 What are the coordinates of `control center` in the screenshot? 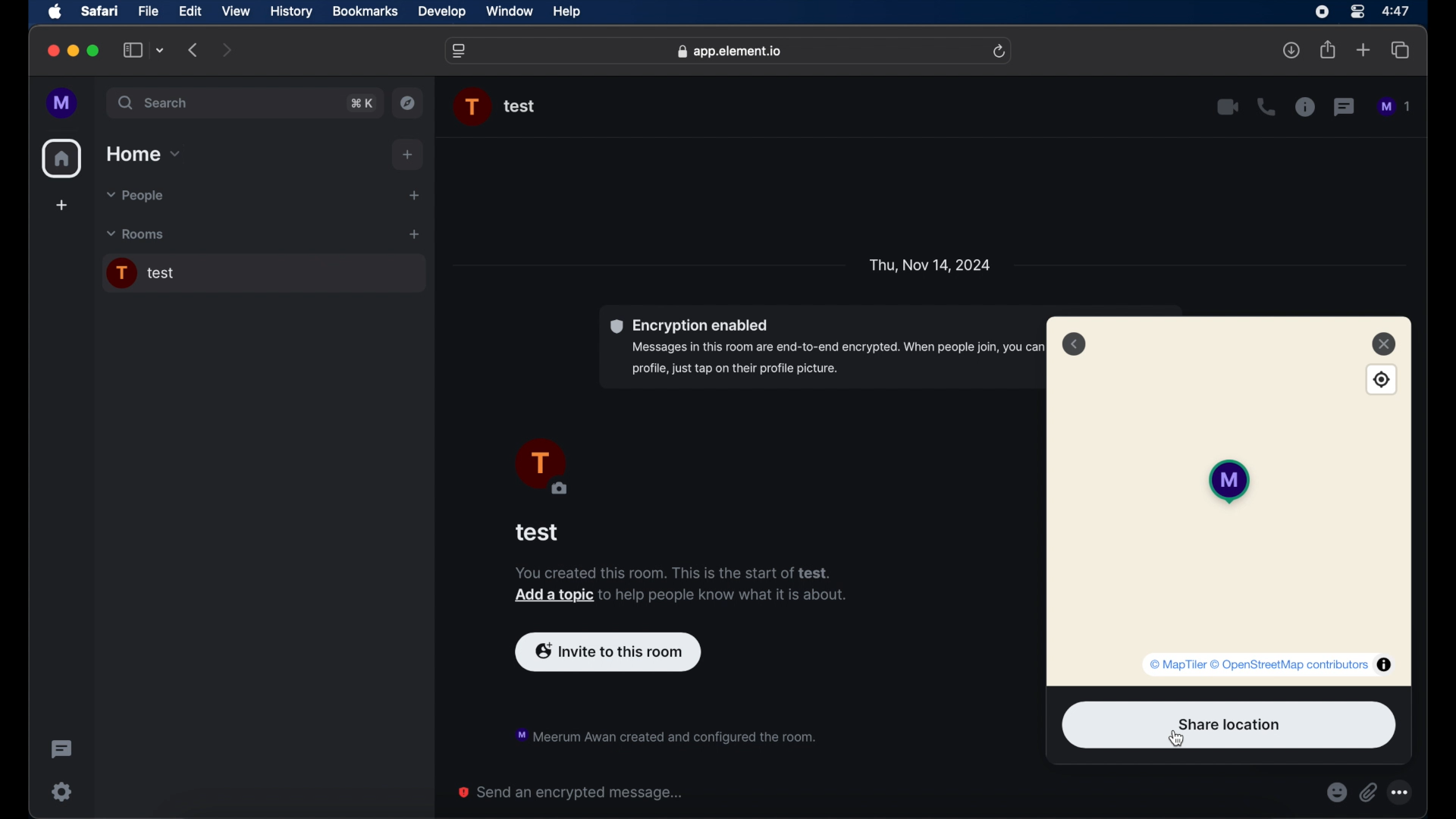 It's located at (1356, 11).